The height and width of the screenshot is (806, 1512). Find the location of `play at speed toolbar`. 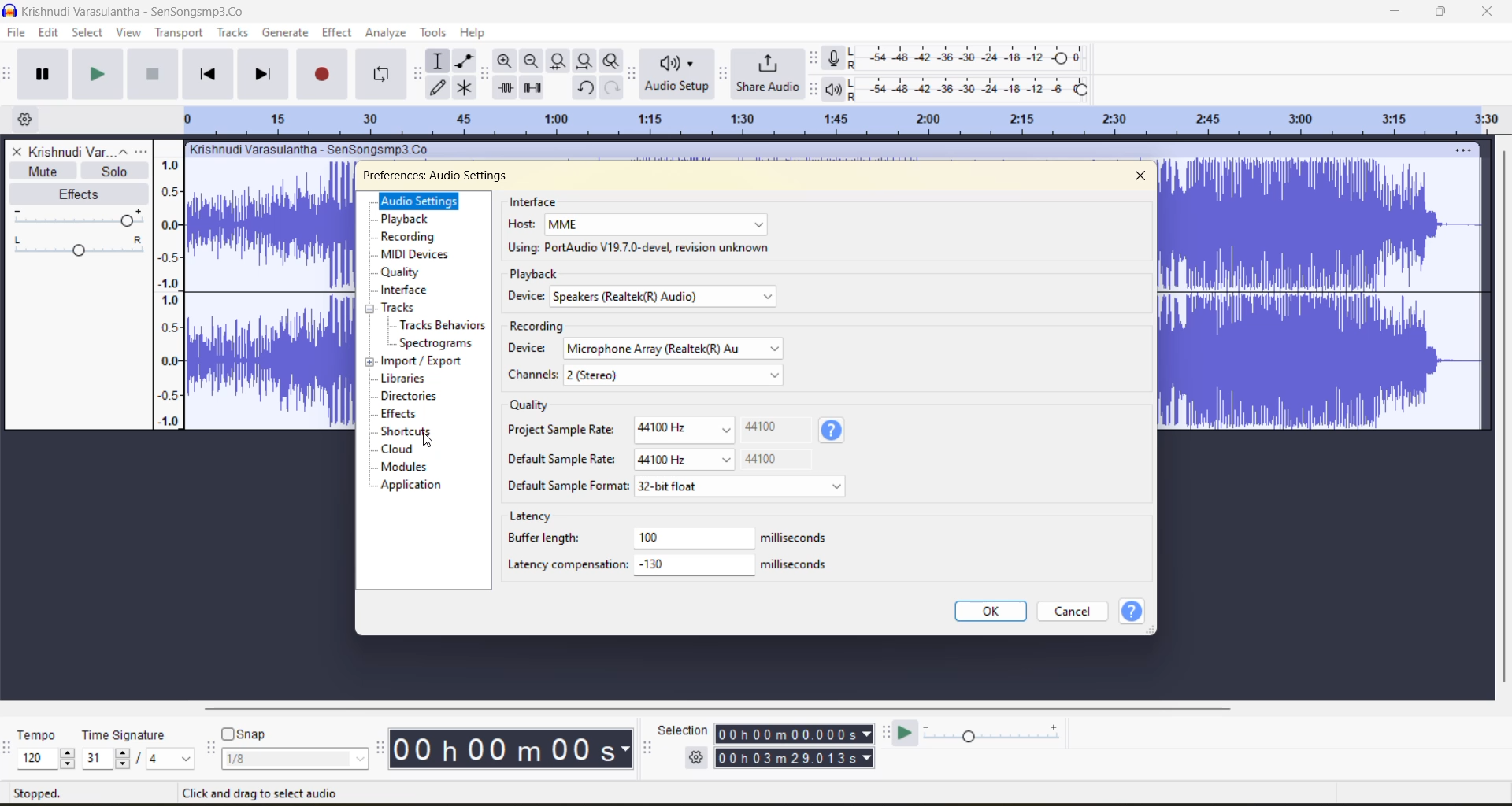

play at speed toolbar is located at coordinates (888, 733).